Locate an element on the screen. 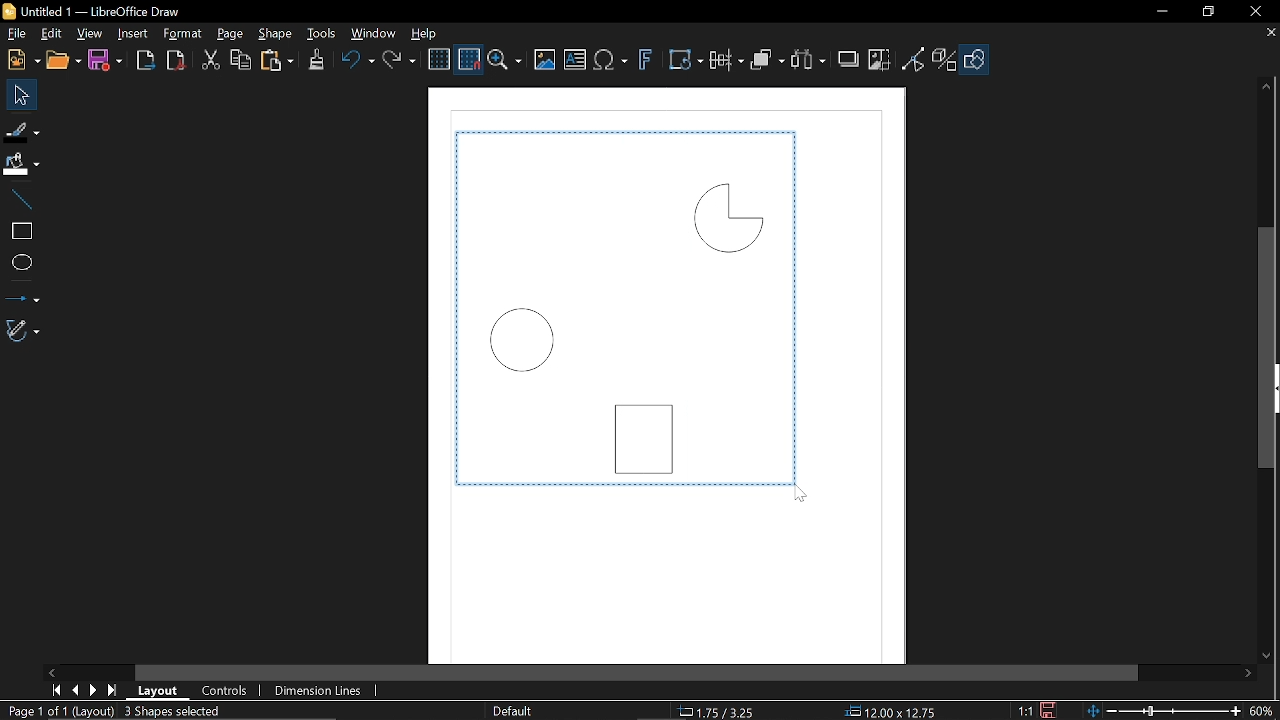 The image size is (1280, 720). Rectangle is located at coordinates (18, 229).